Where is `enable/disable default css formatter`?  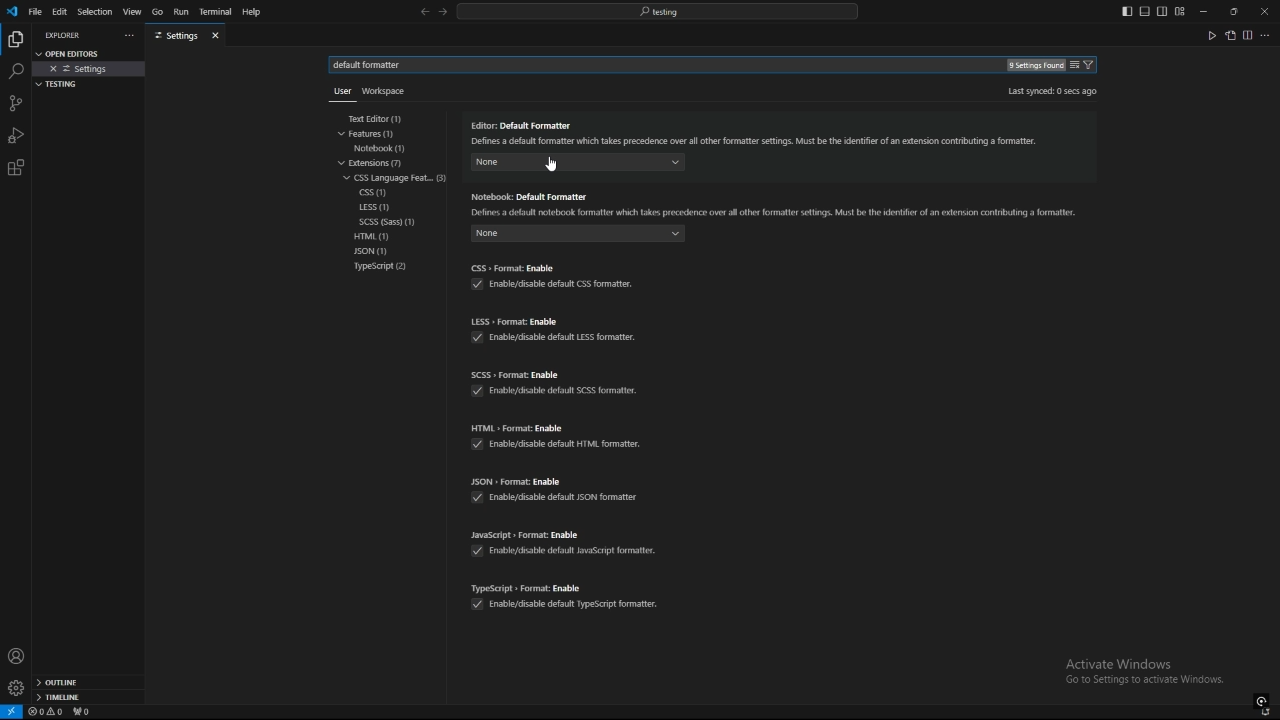
enable/disable default css formatter is located at coordinates (551, 285).